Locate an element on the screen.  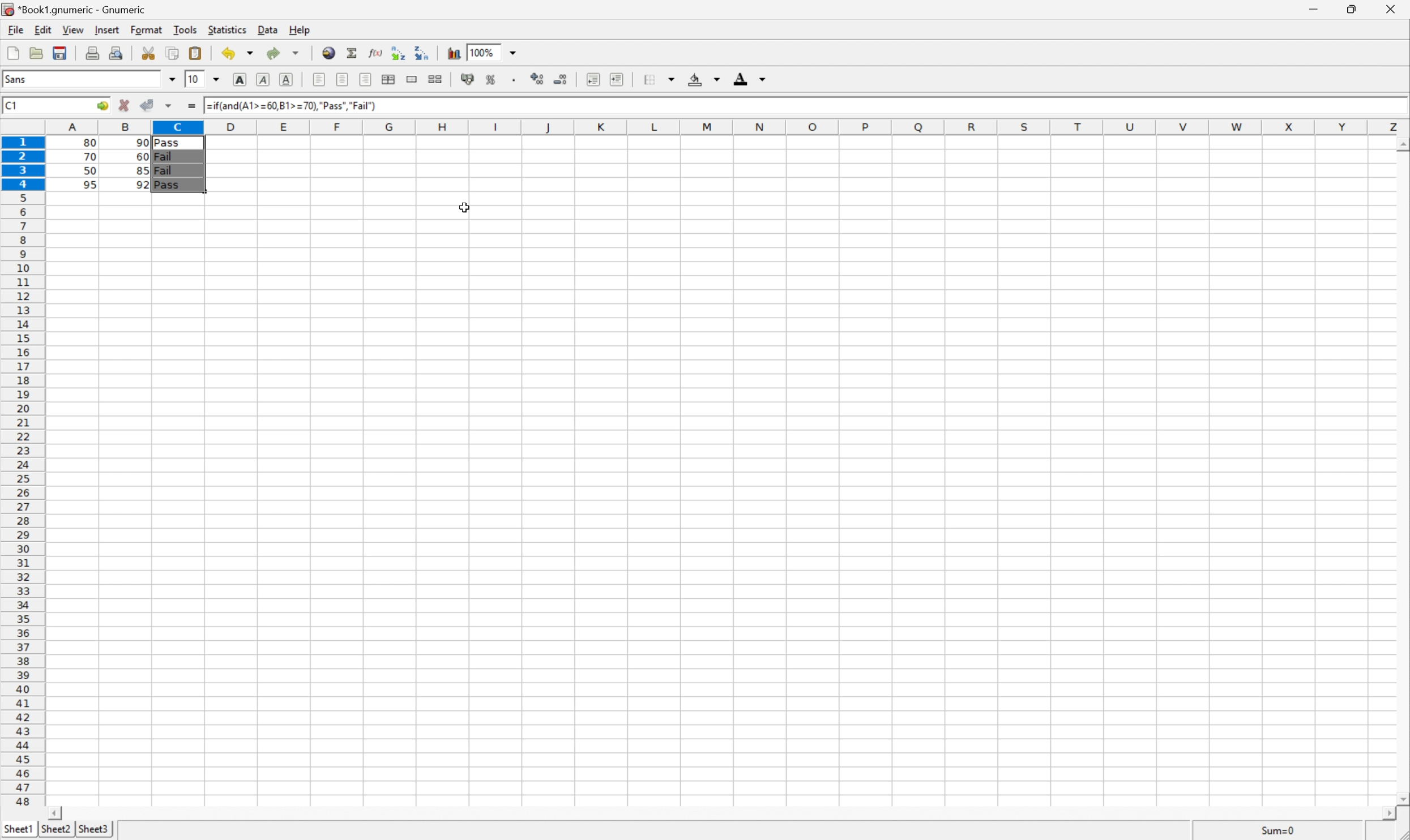
Paste the clipboard is located at coordinates (196, 54).